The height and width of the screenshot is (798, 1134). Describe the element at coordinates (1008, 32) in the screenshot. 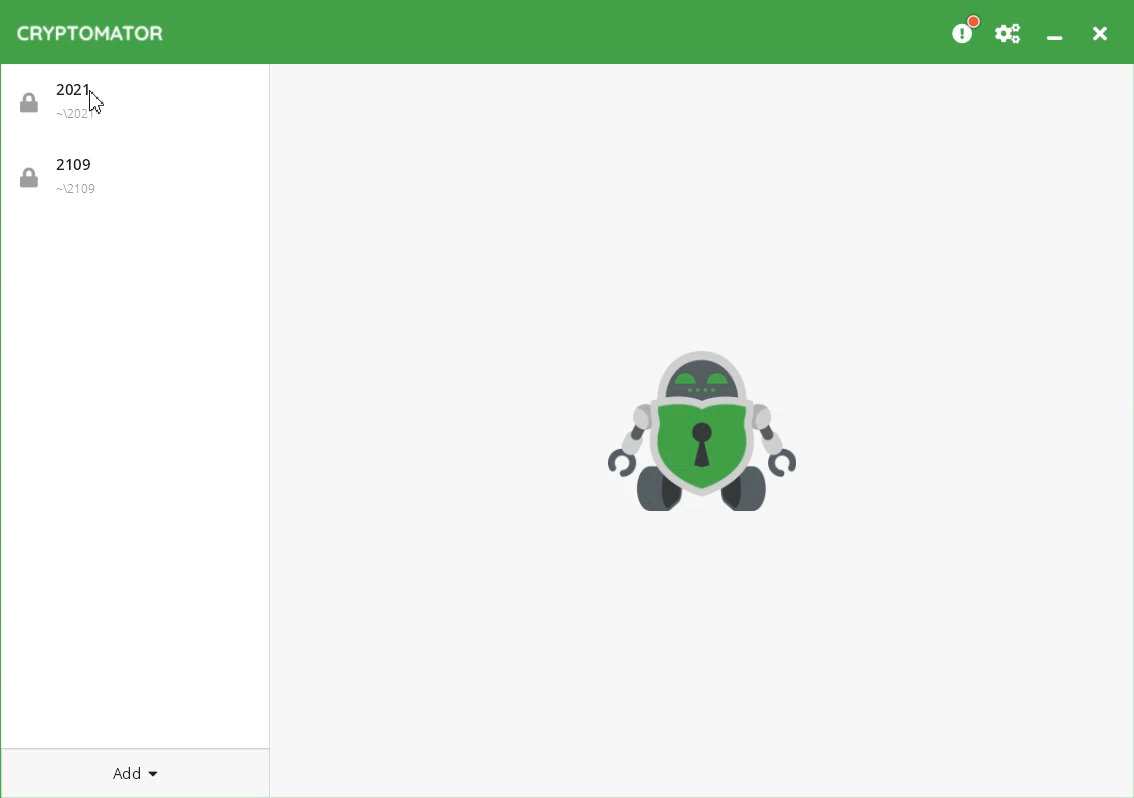

I see `Preferences` at that location.